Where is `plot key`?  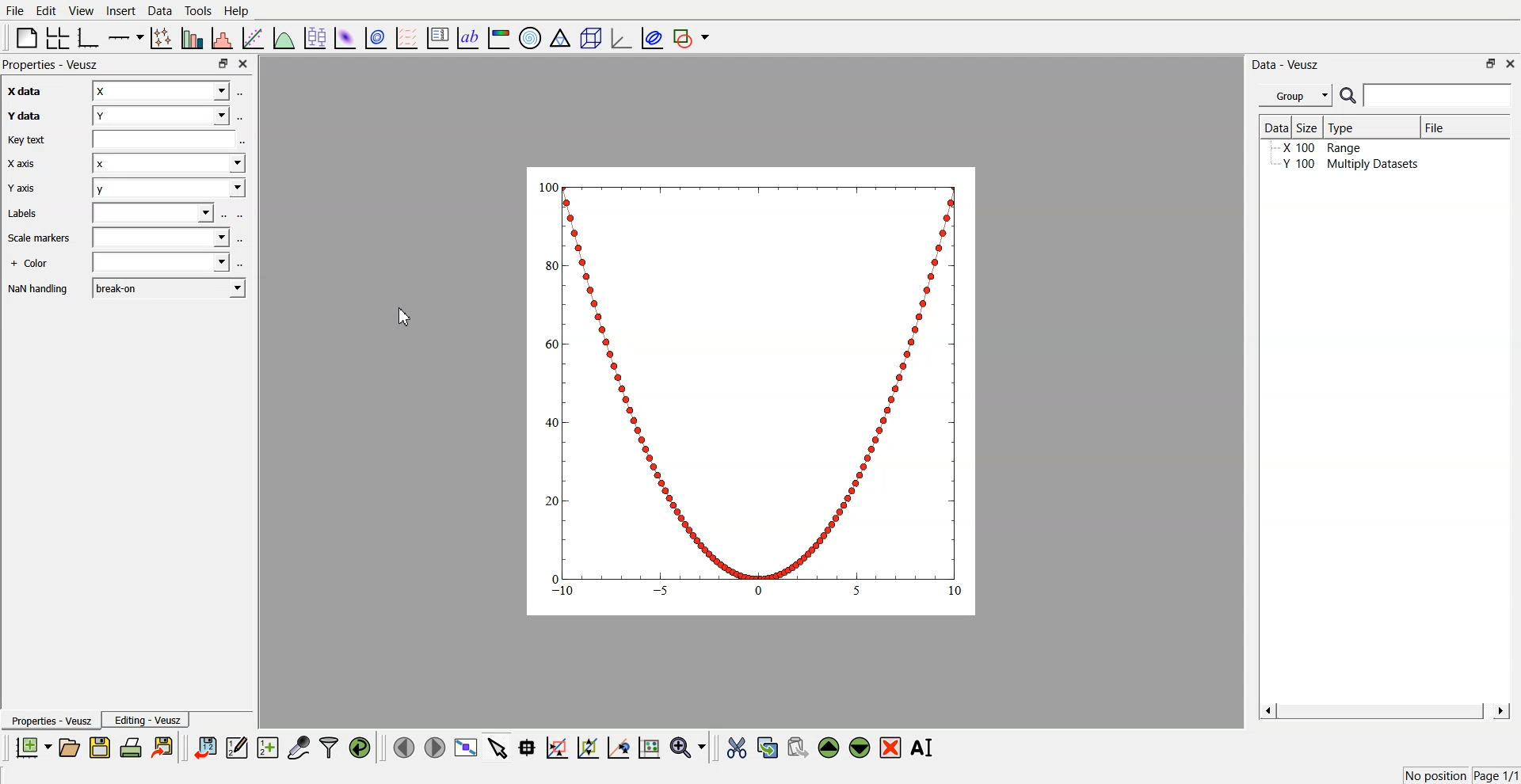
plot key is located at coordinates (437, 38).